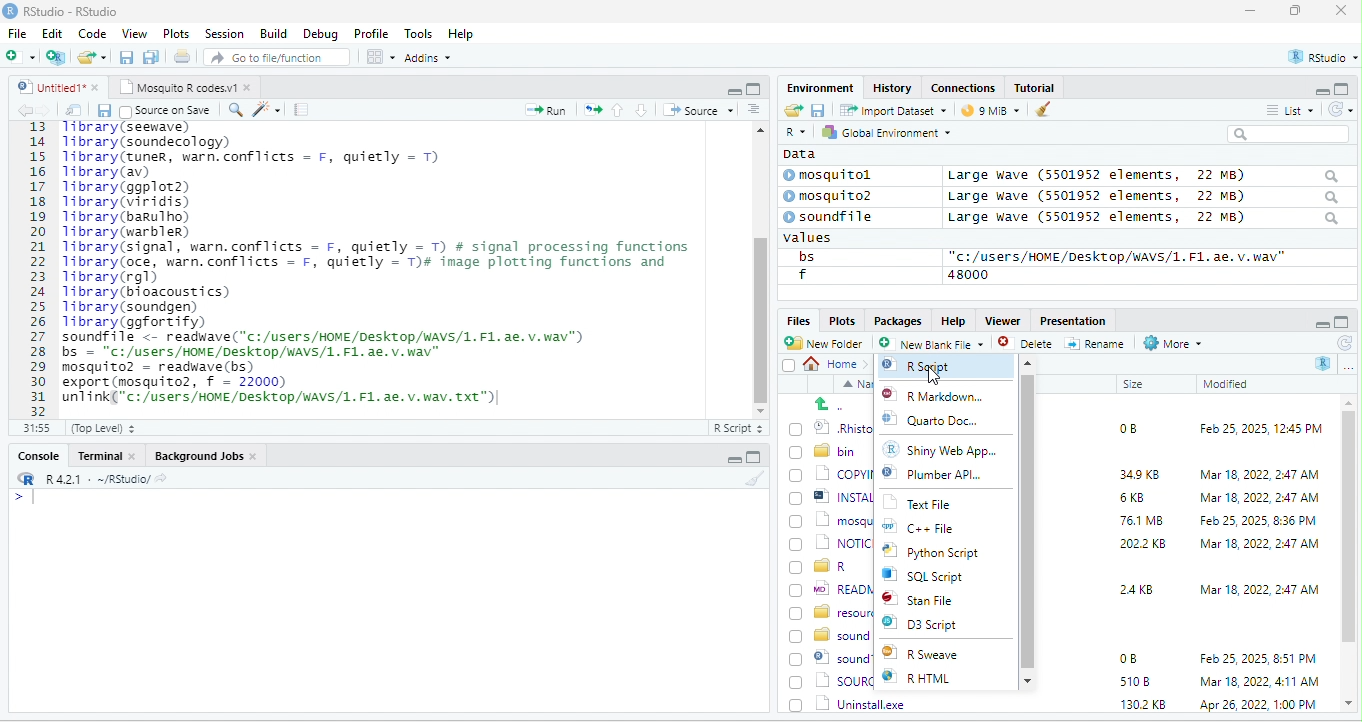 Image resolution: width=1362 pixels, height=722 pixels. Describe the element at coordinates (103, 428) in the screenshot. I see `(Top Level) +` at that location.